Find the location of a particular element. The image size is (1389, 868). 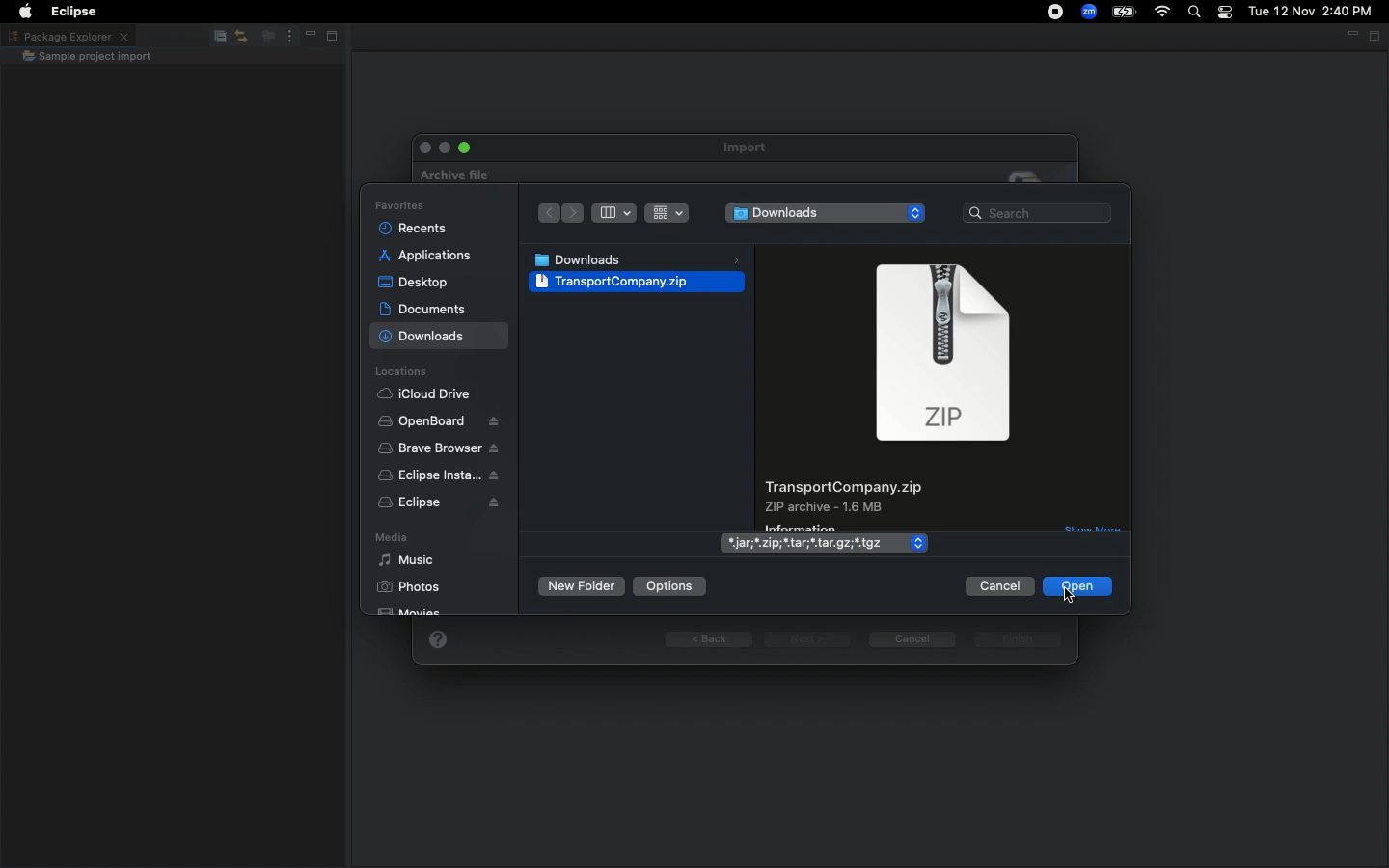

New folder is located at coordinates (581, 588).